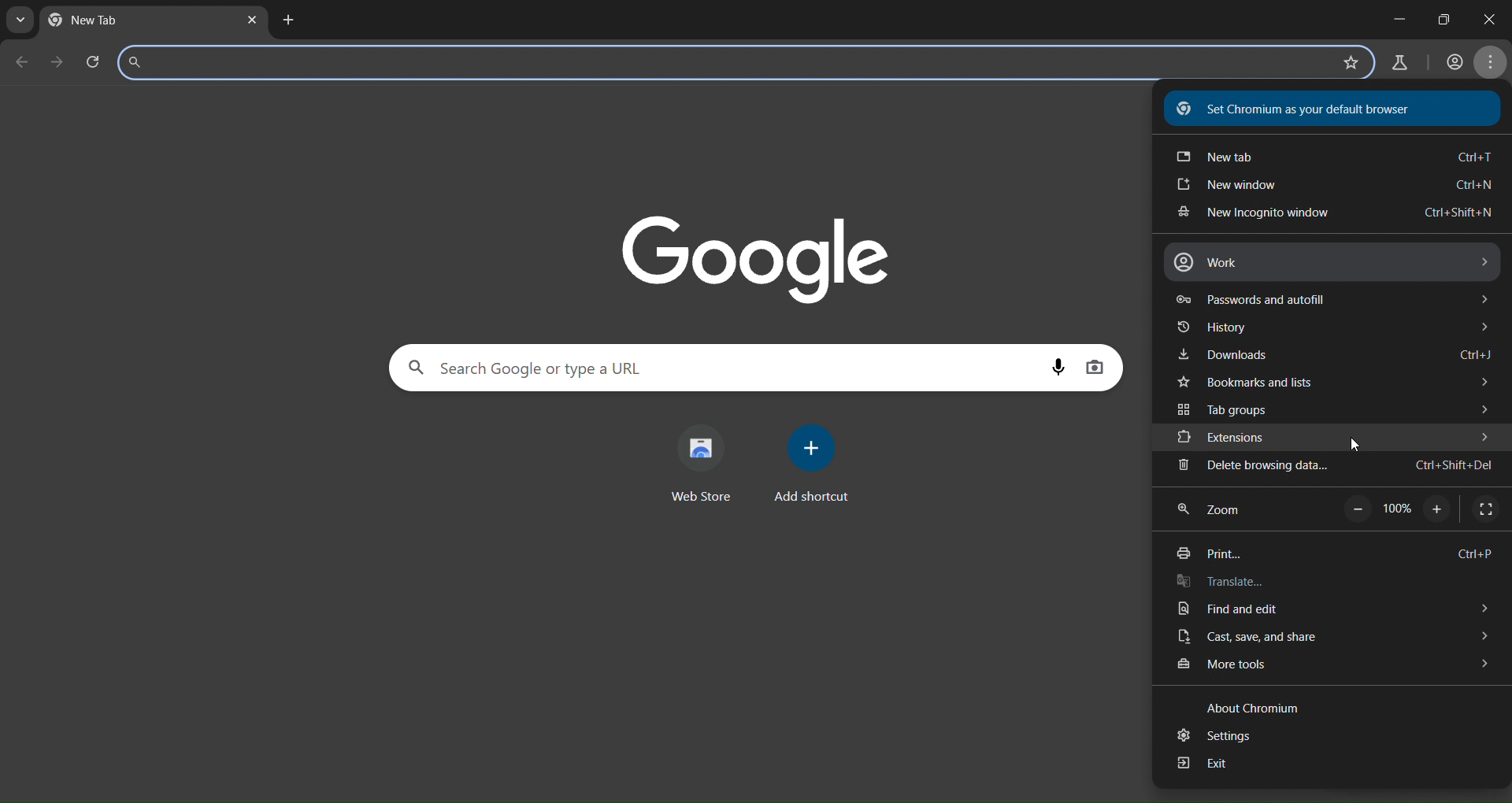 The image size is (1512, 803). Describe the element at coordinates (1338, 551) in the screenshot. I see `print` at that location.